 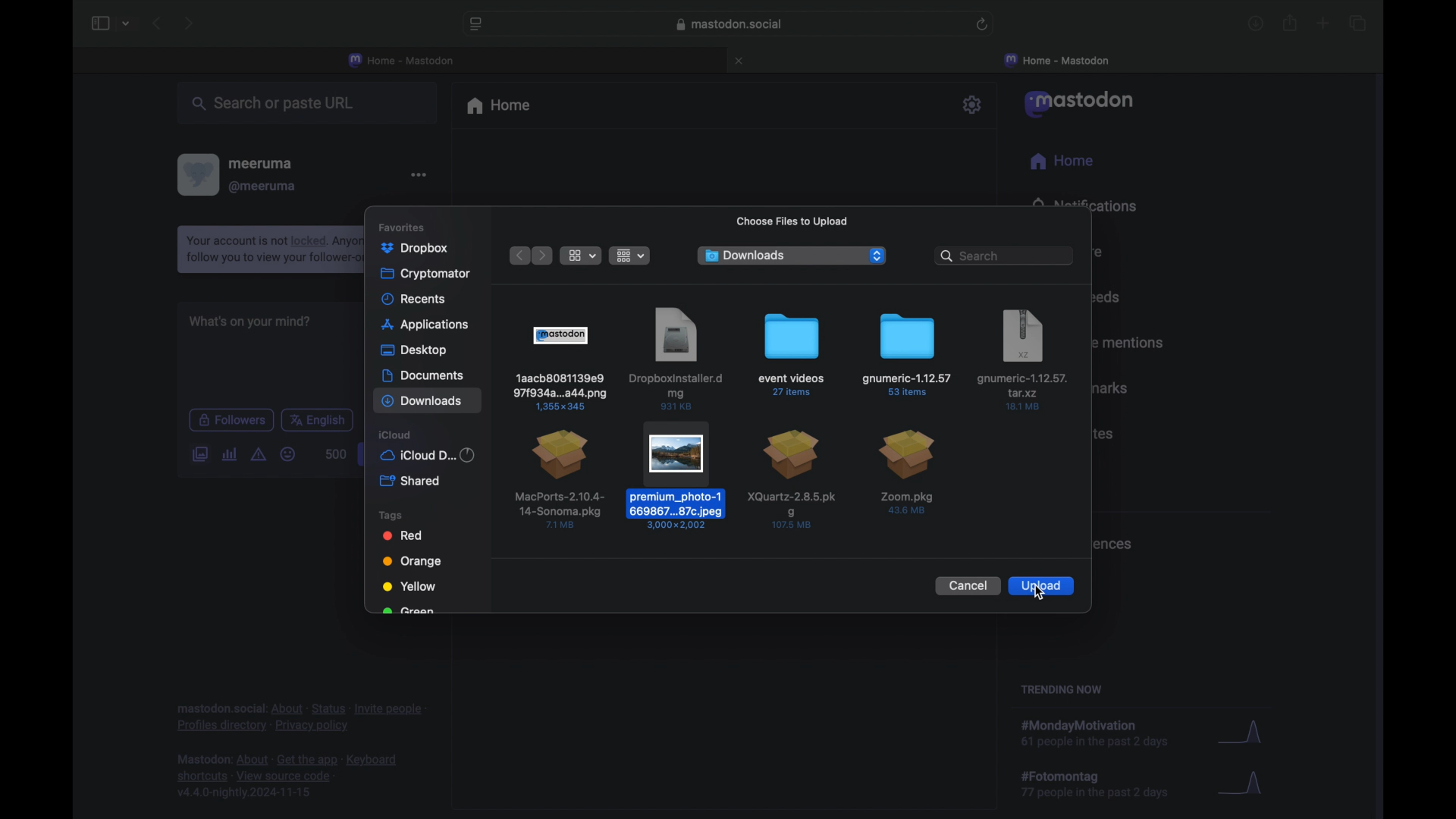 What do you see at coordinates (401, 536) in the screenshot?
I see `red` at bounding box center [401, 536].